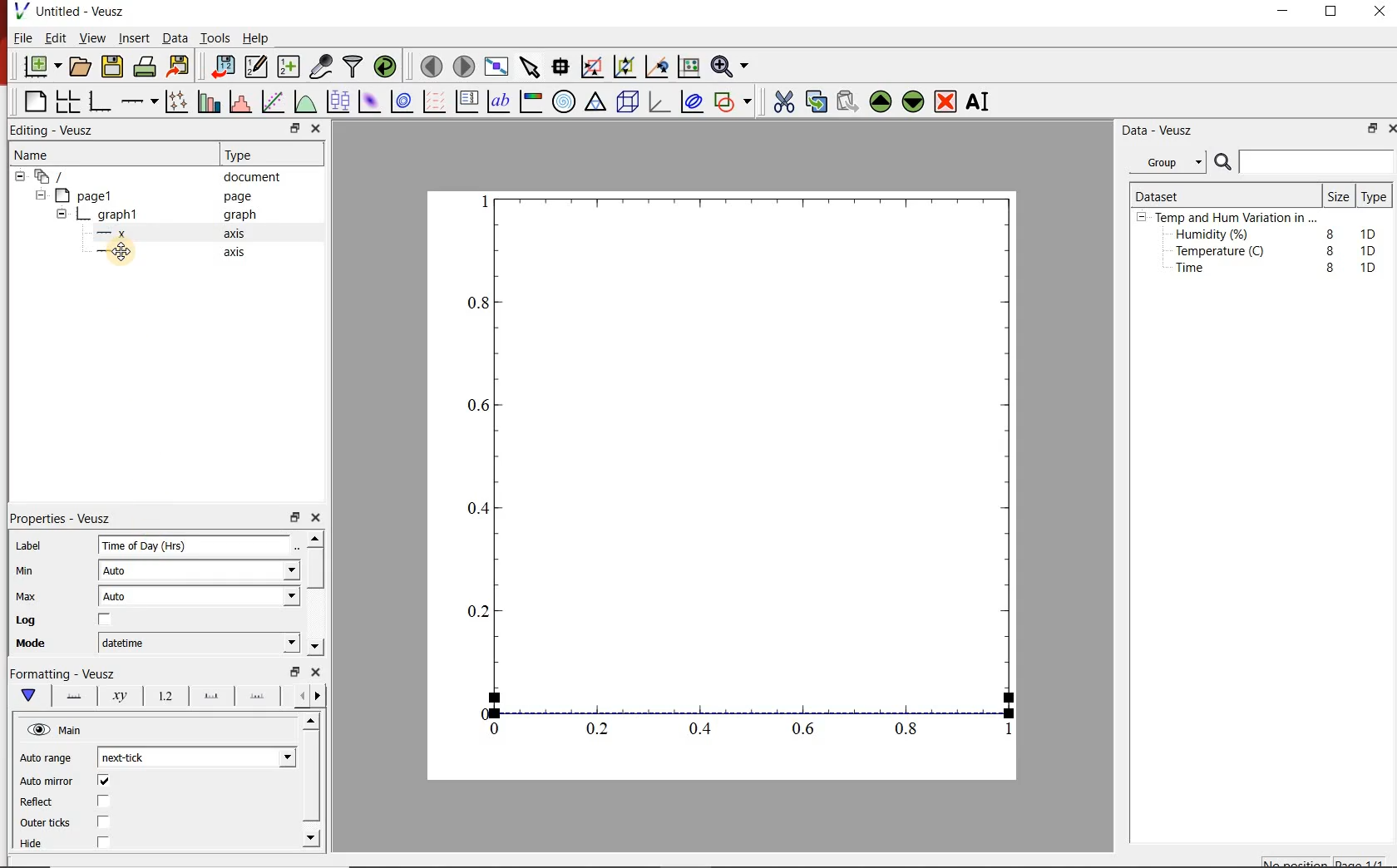 This screenshot has height=868, width=1397. What do you see at coordinates (33, 543) in the screenshot?
I see `Label` at bounding box center [33, 543].